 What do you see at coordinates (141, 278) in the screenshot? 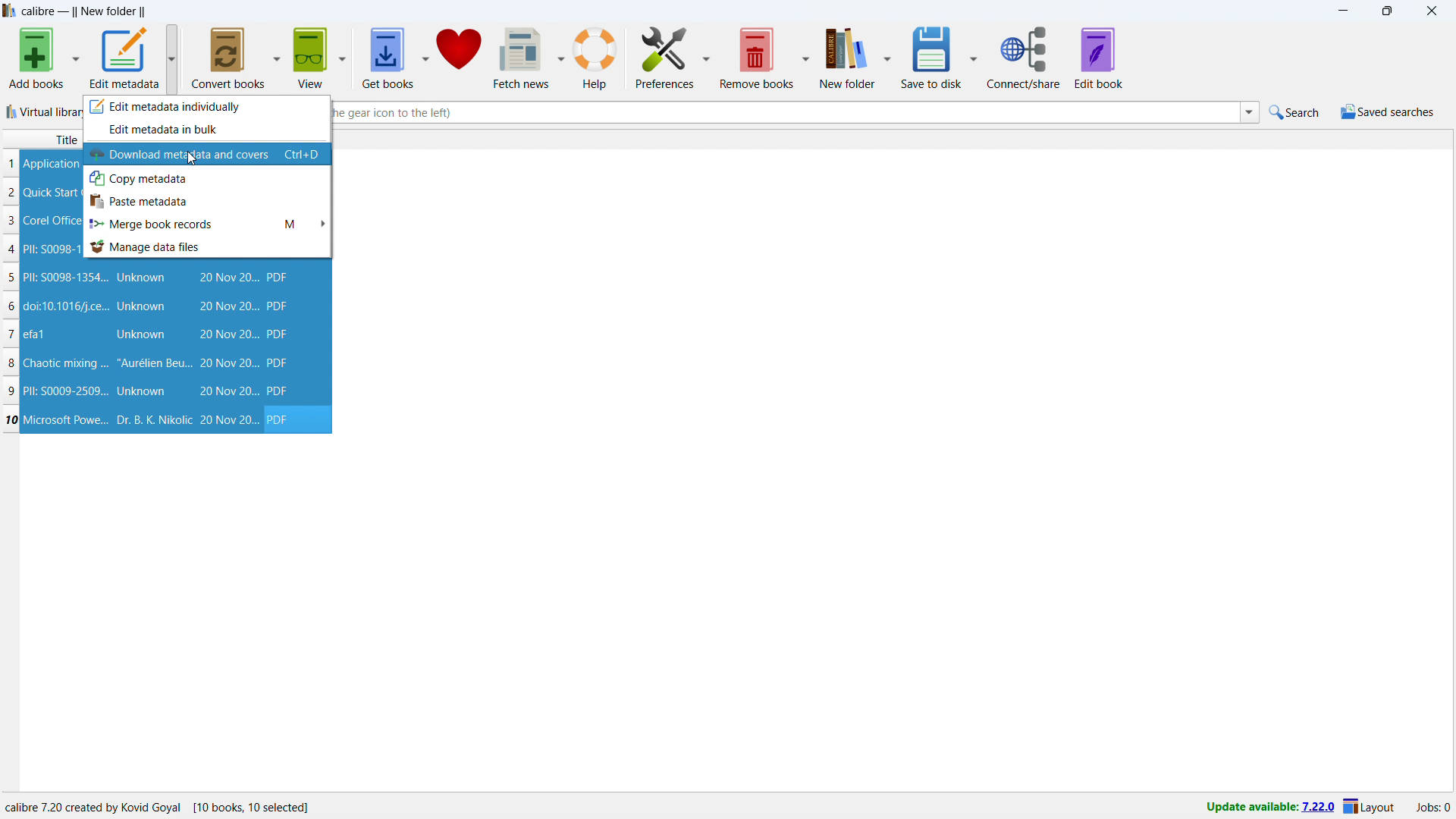
I see `Unknown` at bounding box center [141, 278].